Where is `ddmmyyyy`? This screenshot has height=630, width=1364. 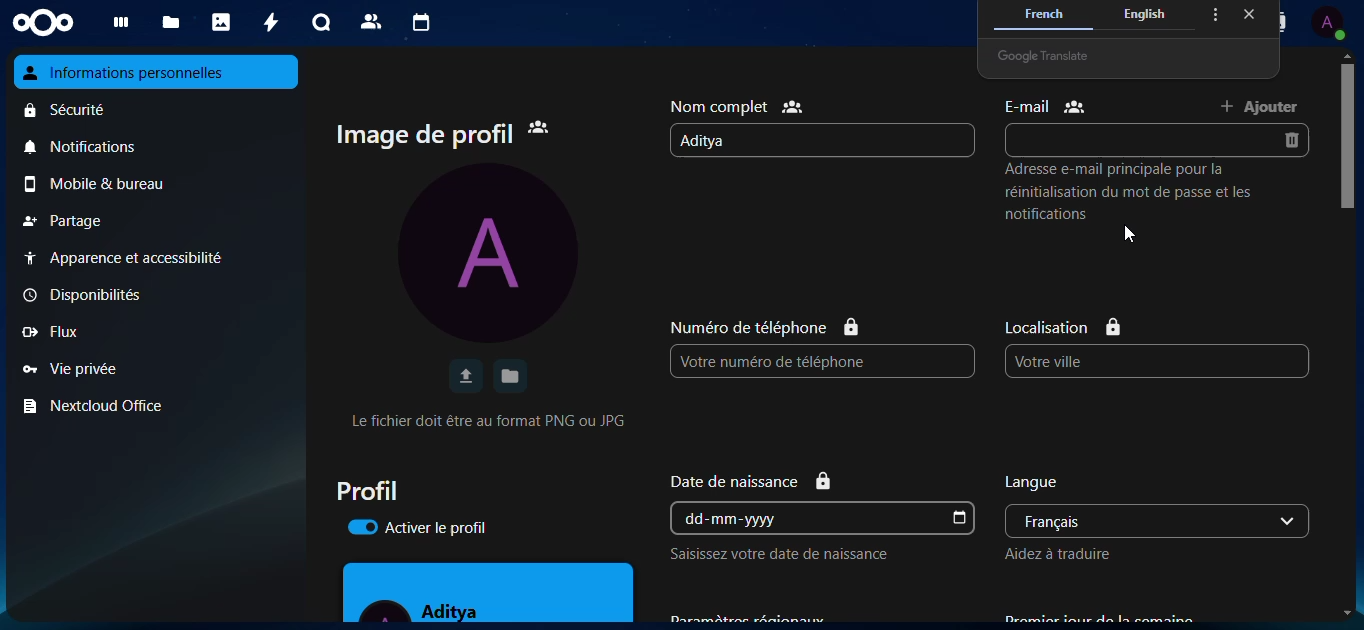
ddmmyyyy is located at coordinates (740, 518).